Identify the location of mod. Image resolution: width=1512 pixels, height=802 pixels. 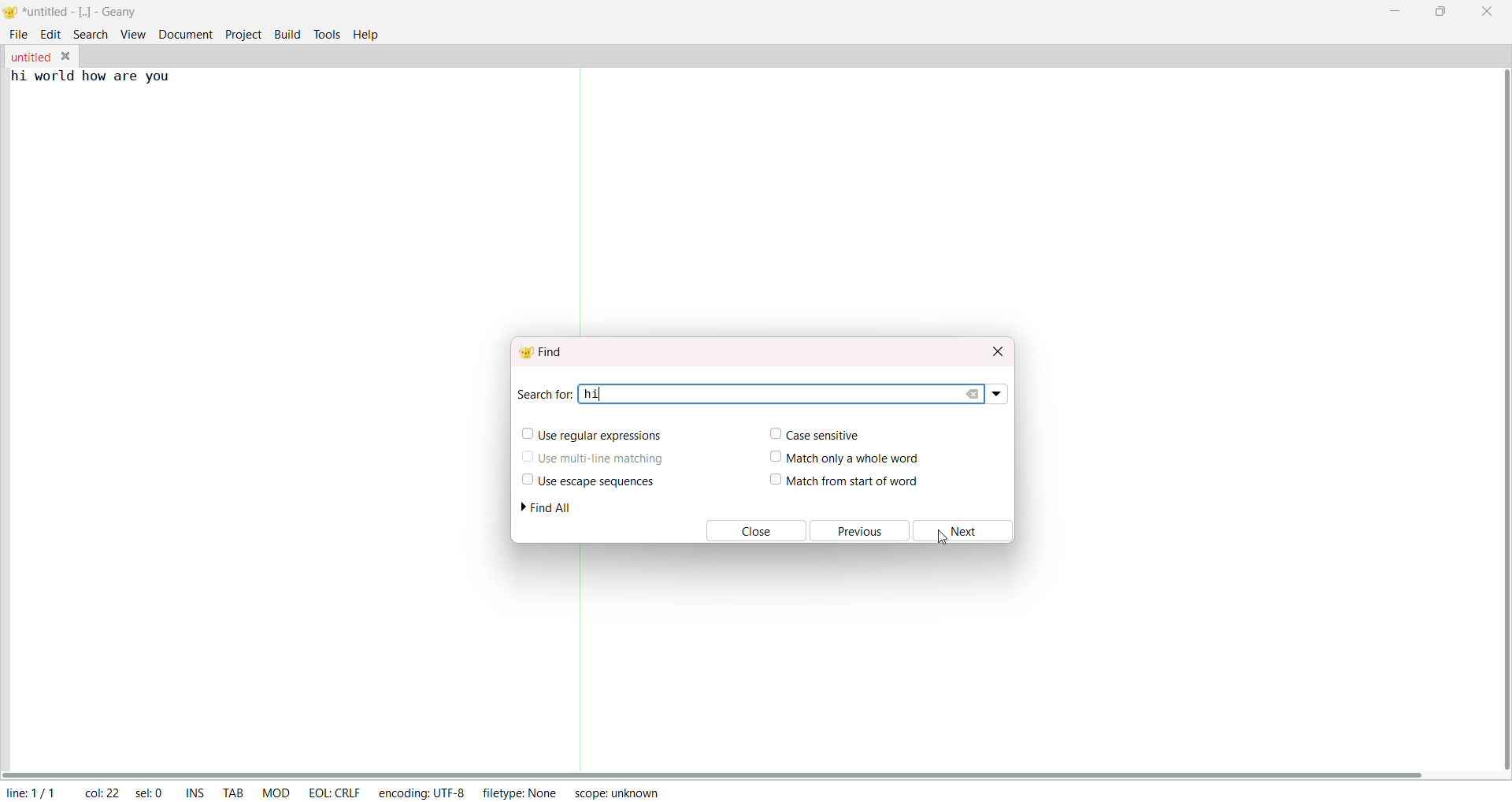
(272, 792).